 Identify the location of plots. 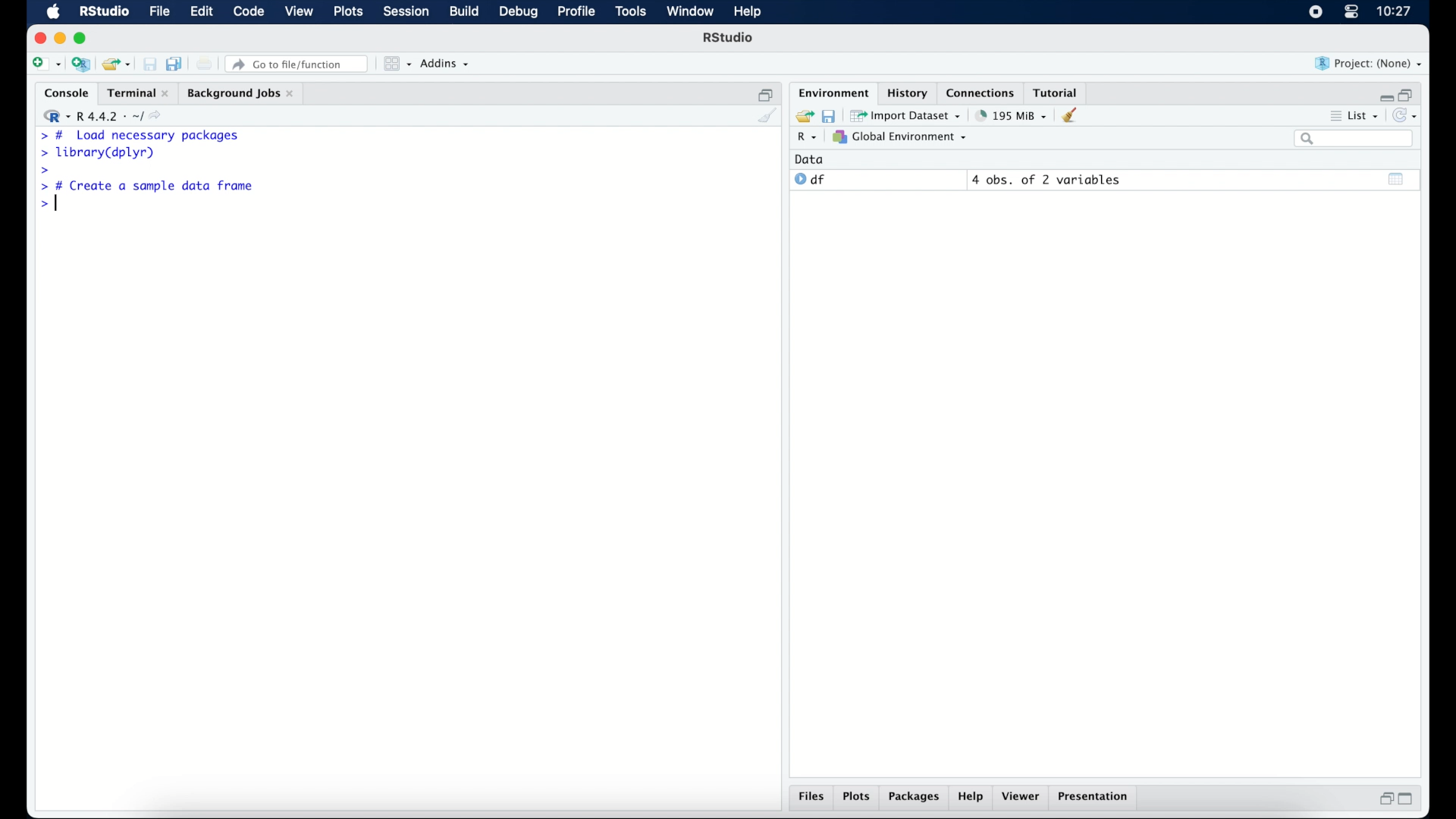
(350, 13).